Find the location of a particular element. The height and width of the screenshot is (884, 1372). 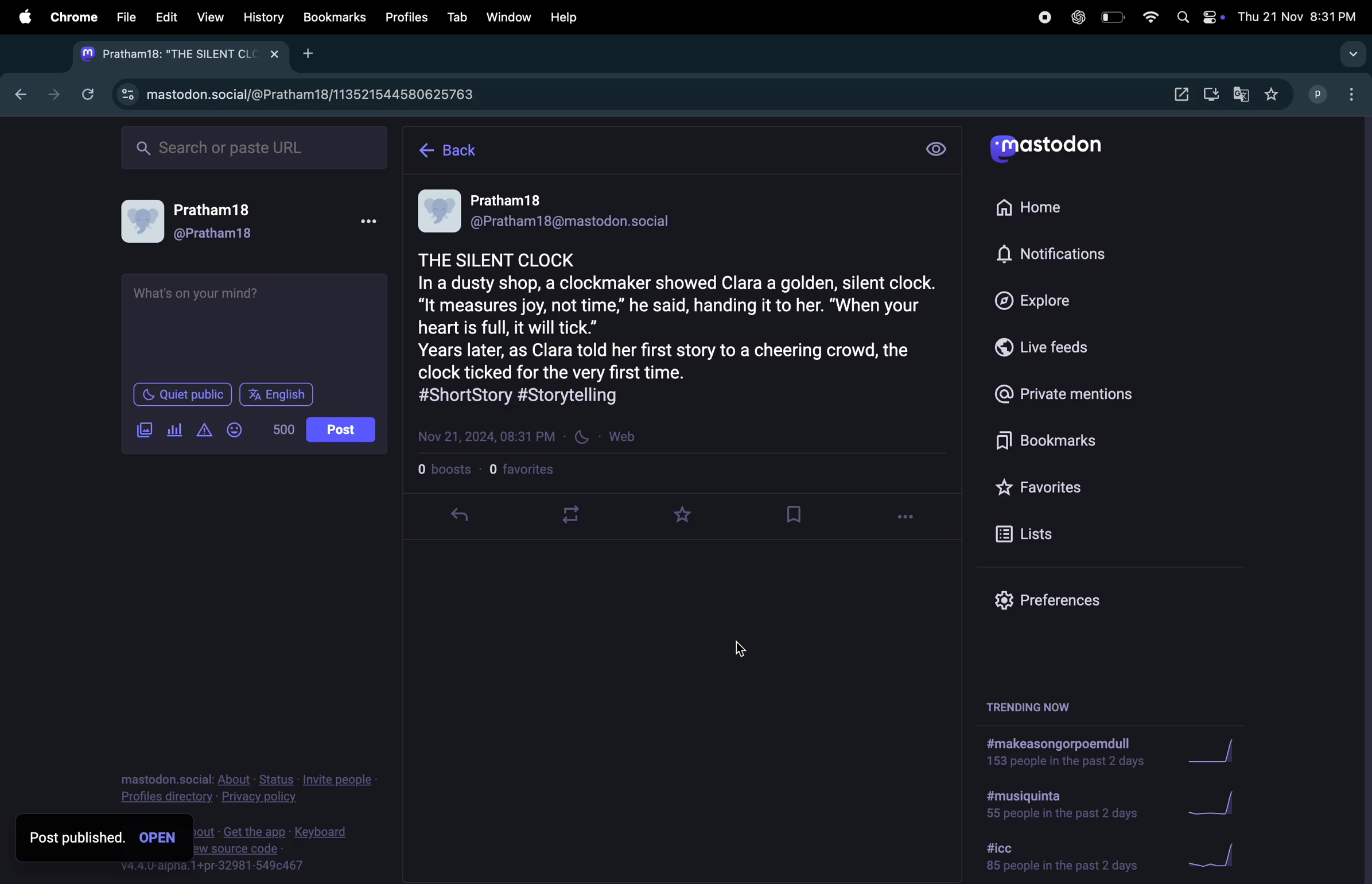

apple widgets is located at coordinates (1198, 17).